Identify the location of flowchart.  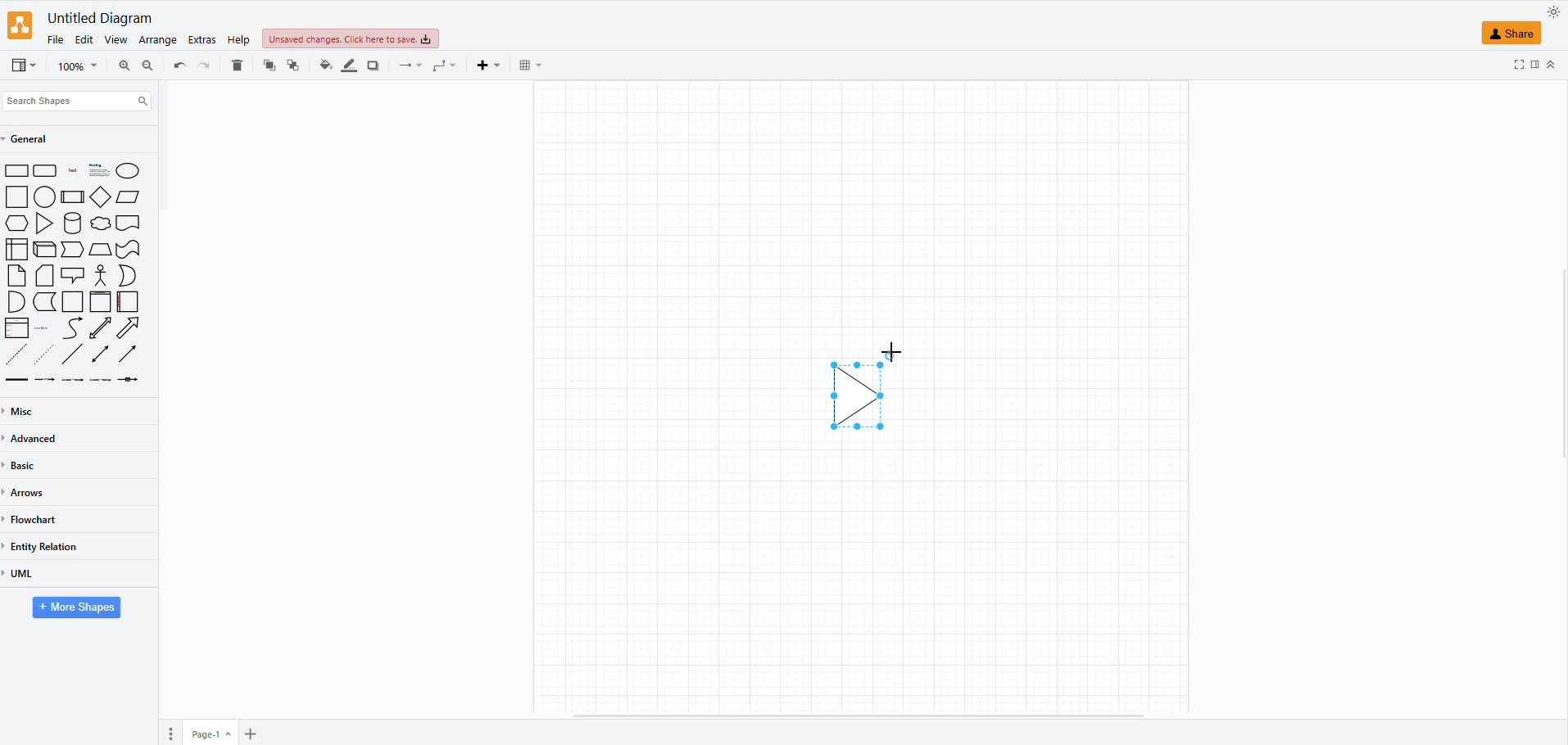
(39, 516).